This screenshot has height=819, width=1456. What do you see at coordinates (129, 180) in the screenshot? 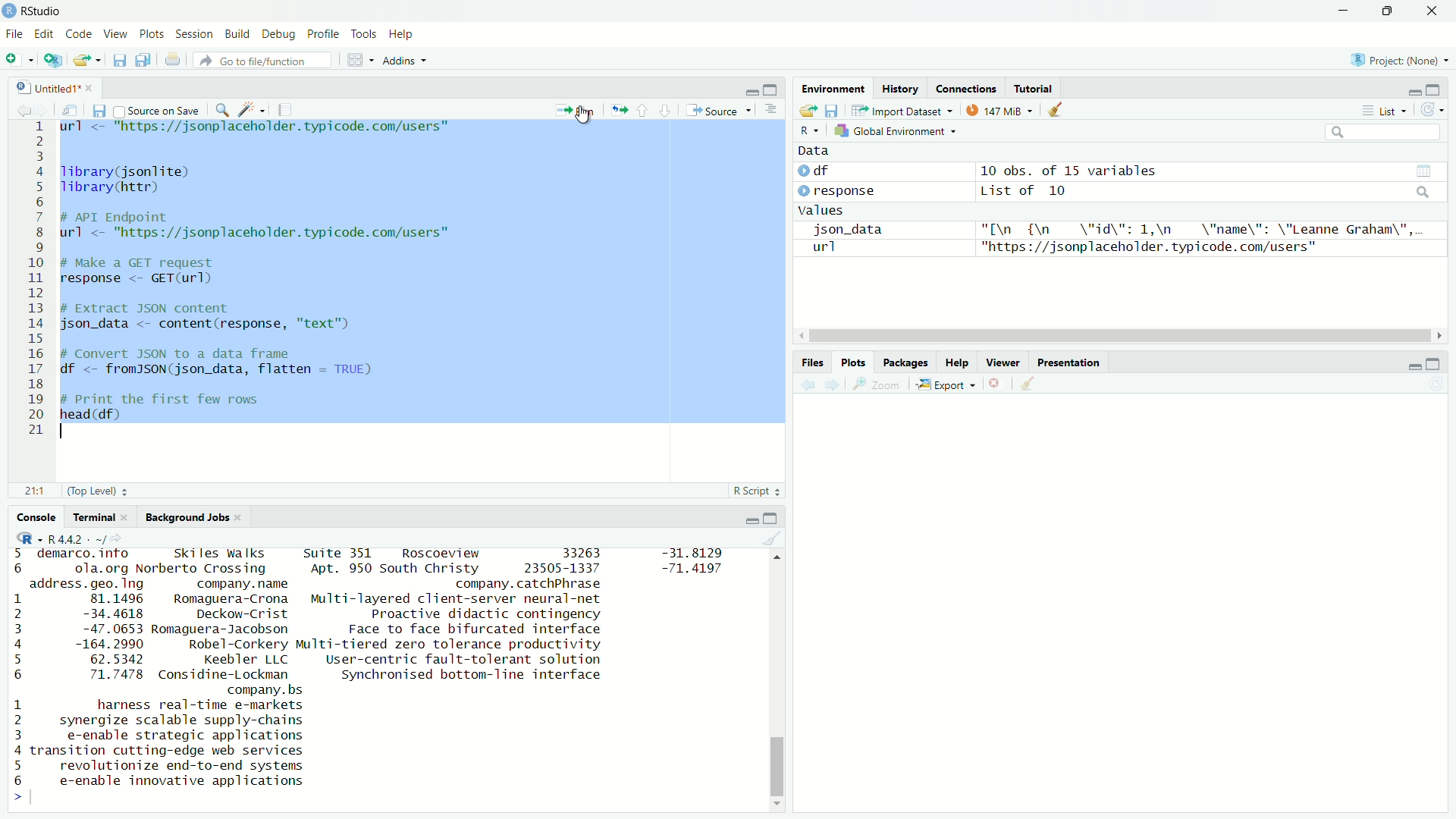
I see `Tibrary(jsonlite)
Tibrary(httr)` at bounding box center [129, 180].